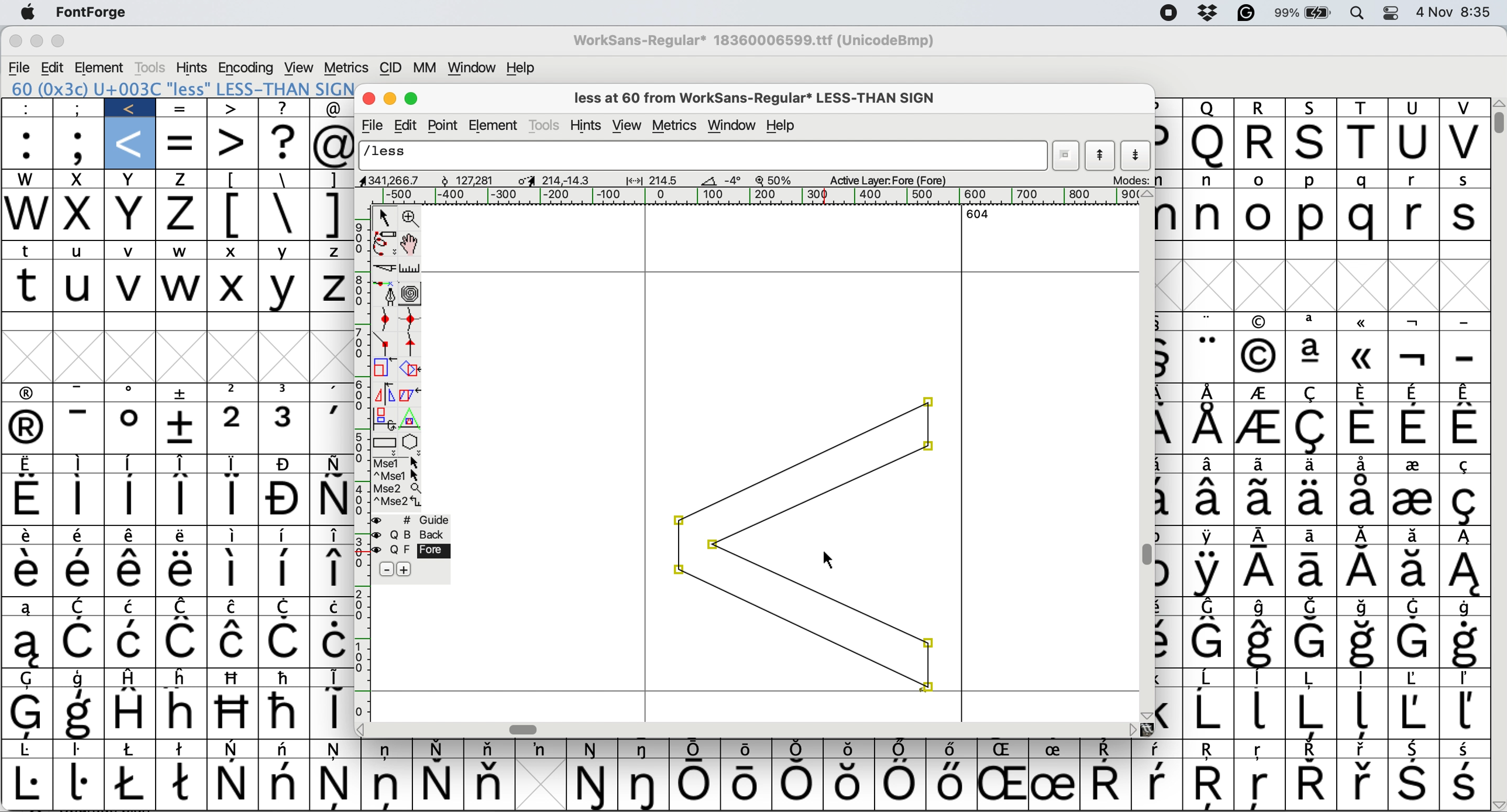 The height and width of the screenshot is (812, 1507). Describe the element at coordinates (1168, 15) in the screenshot. I see `screen recorder` at that location.